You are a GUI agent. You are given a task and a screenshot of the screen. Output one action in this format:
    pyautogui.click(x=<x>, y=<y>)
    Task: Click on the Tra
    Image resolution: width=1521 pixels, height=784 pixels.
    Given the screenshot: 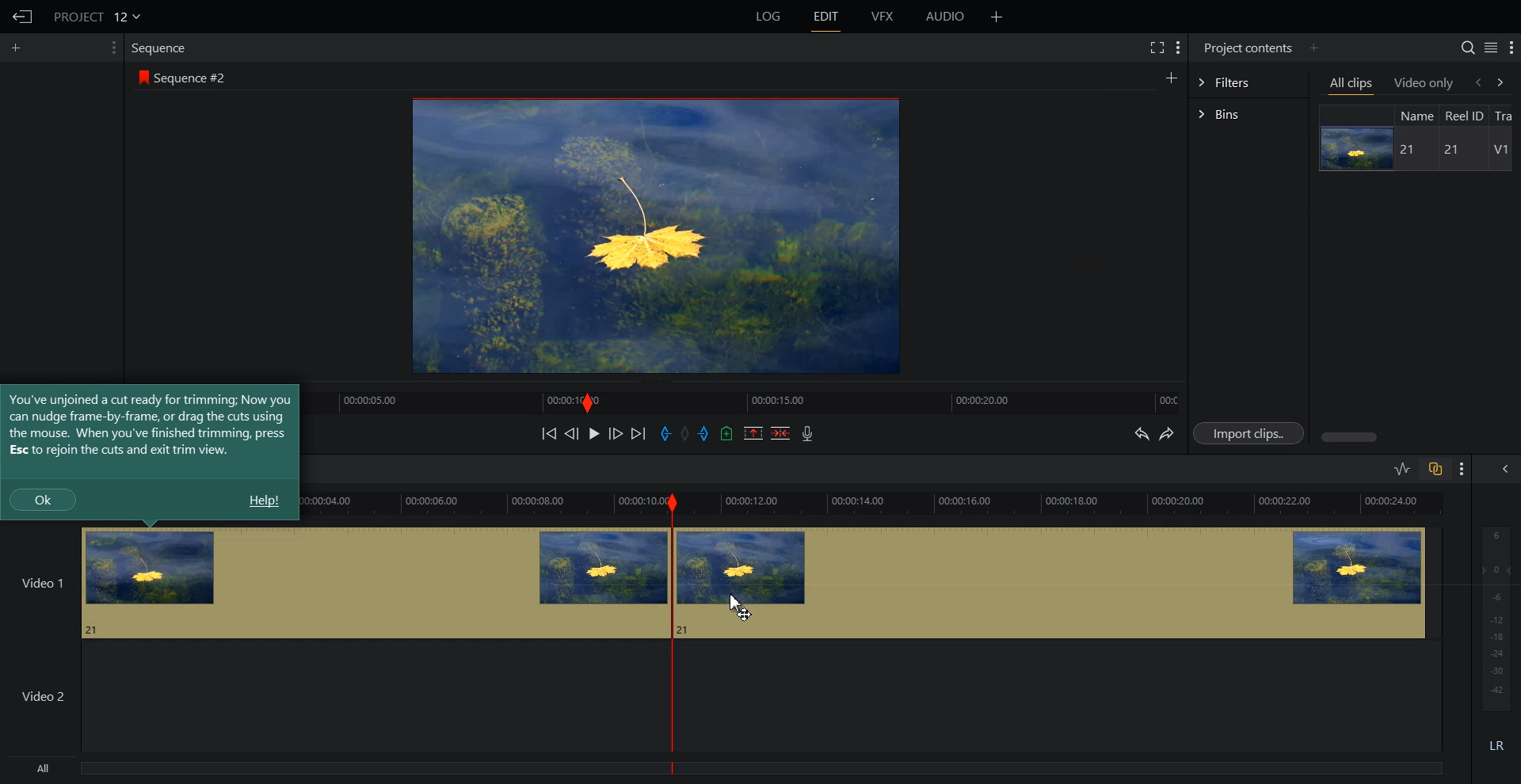 What is the action you would take?
    pyautogui.click(x=1507, y=114)
    